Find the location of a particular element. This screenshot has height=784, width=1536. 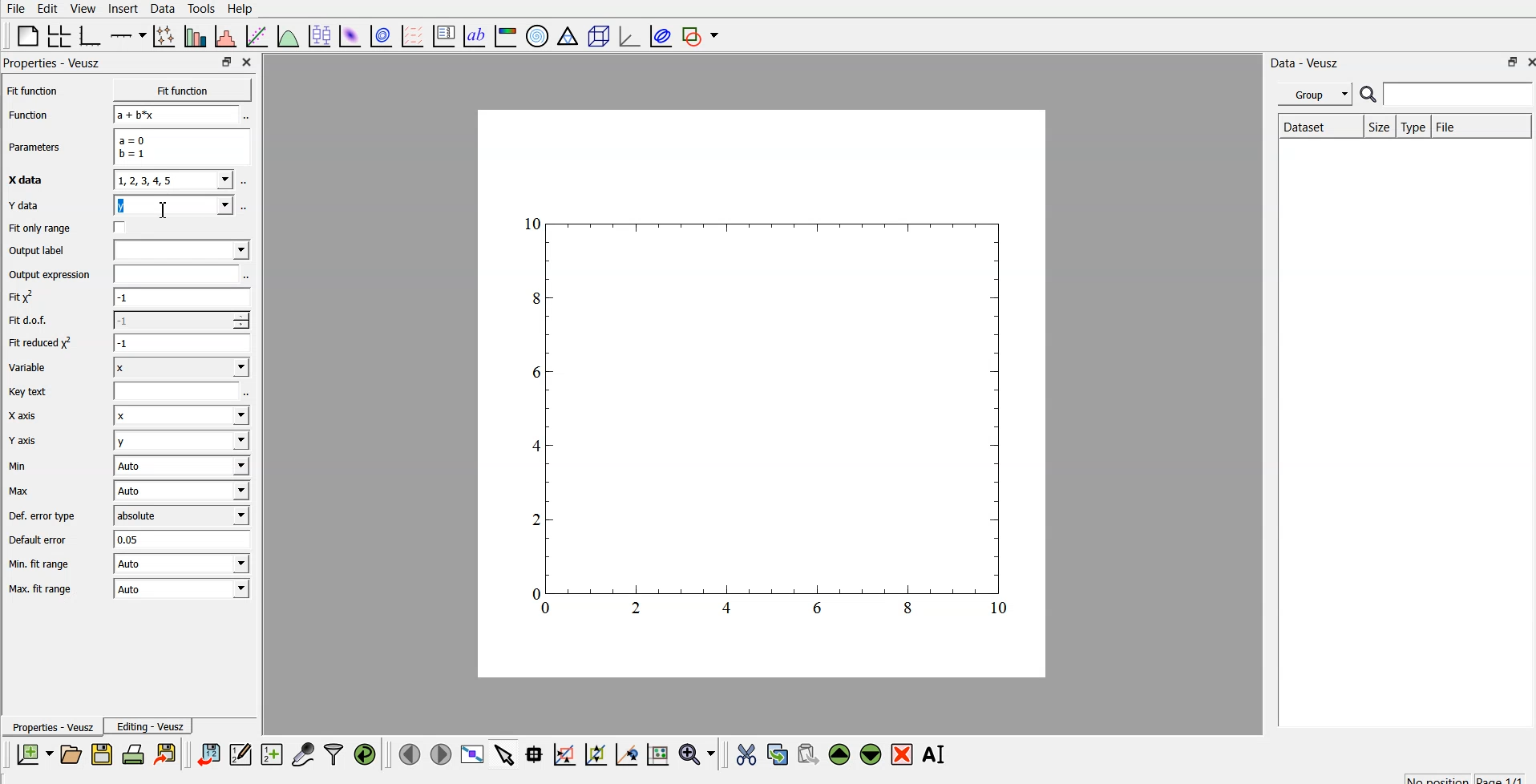

plot key is located at coordinates (446, 36).